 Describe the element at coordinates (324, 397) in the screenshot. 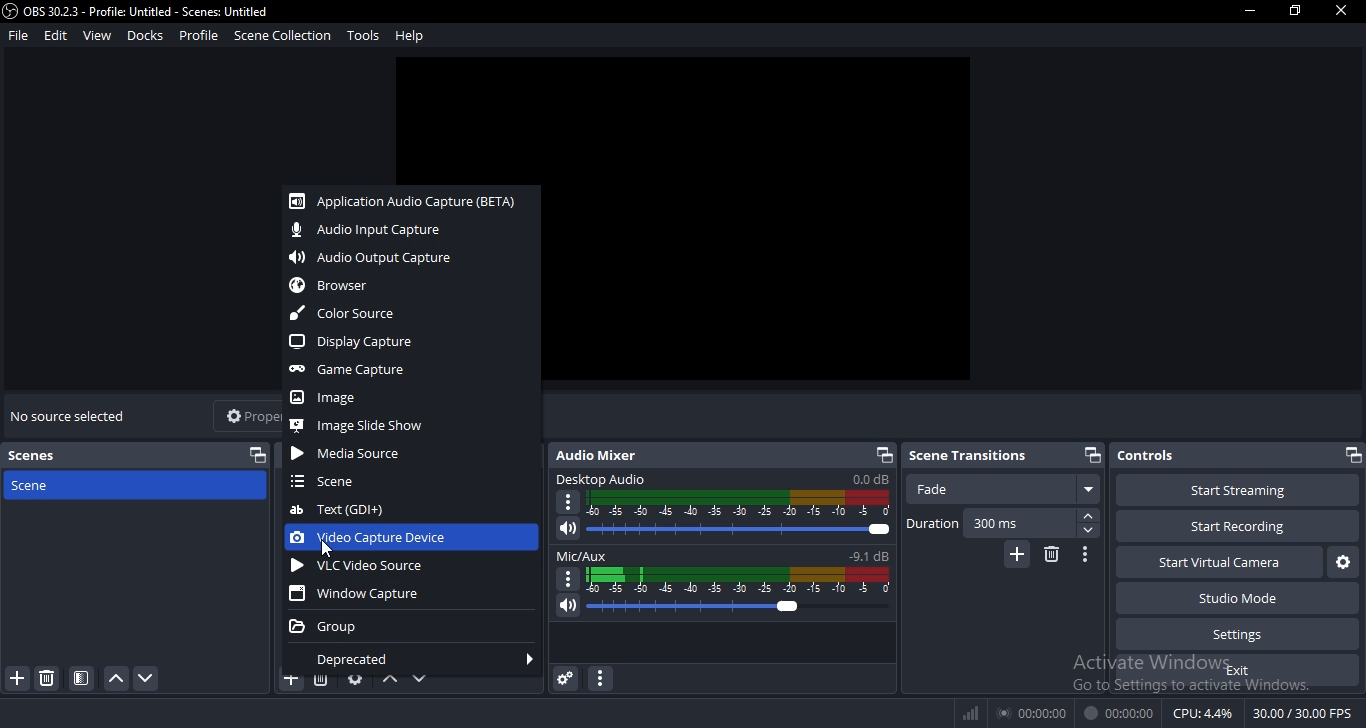

I see `image` at that location.